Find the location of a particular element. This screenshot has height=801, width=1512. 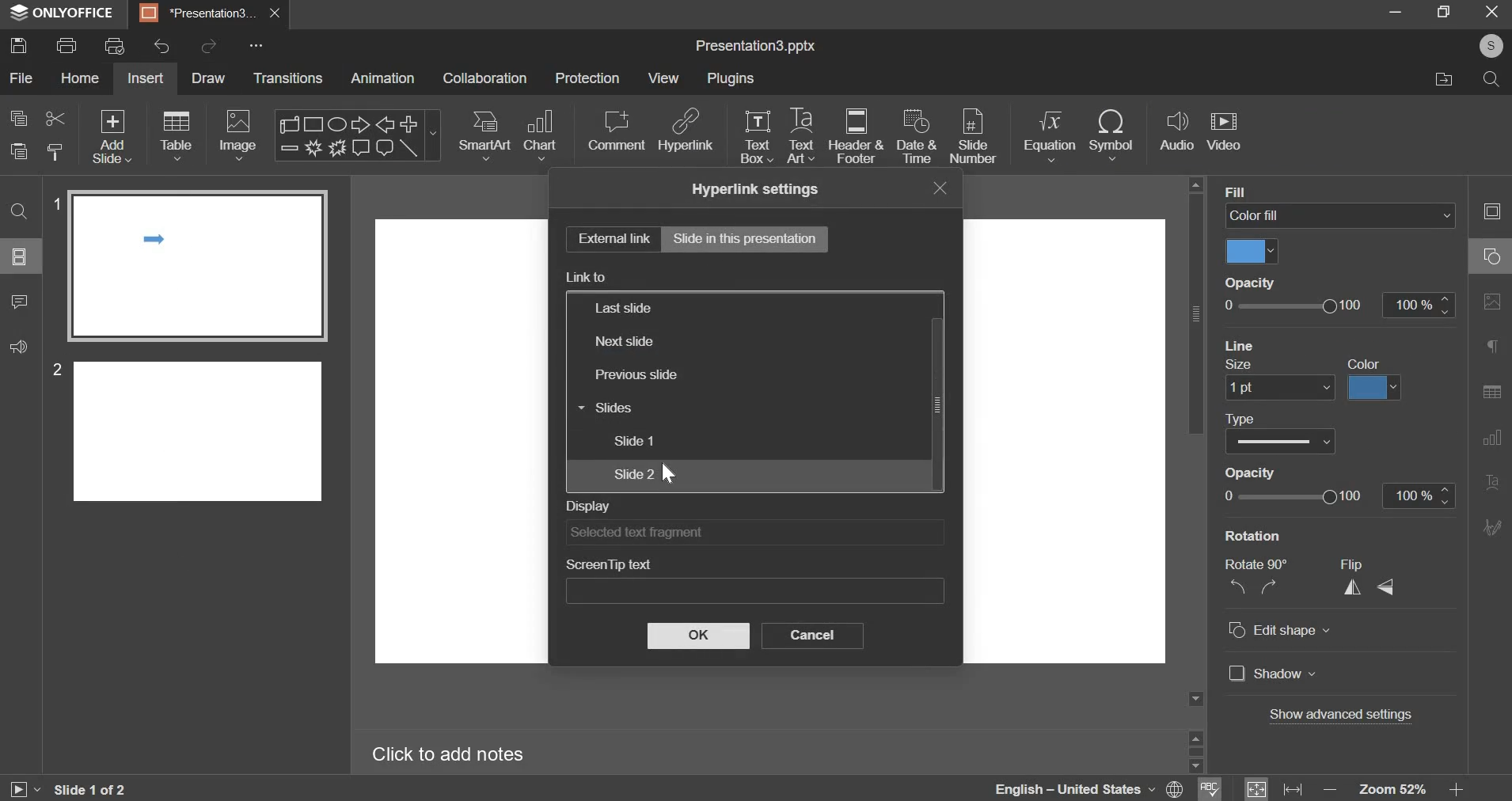

language is located at coordinates (1052, 788).